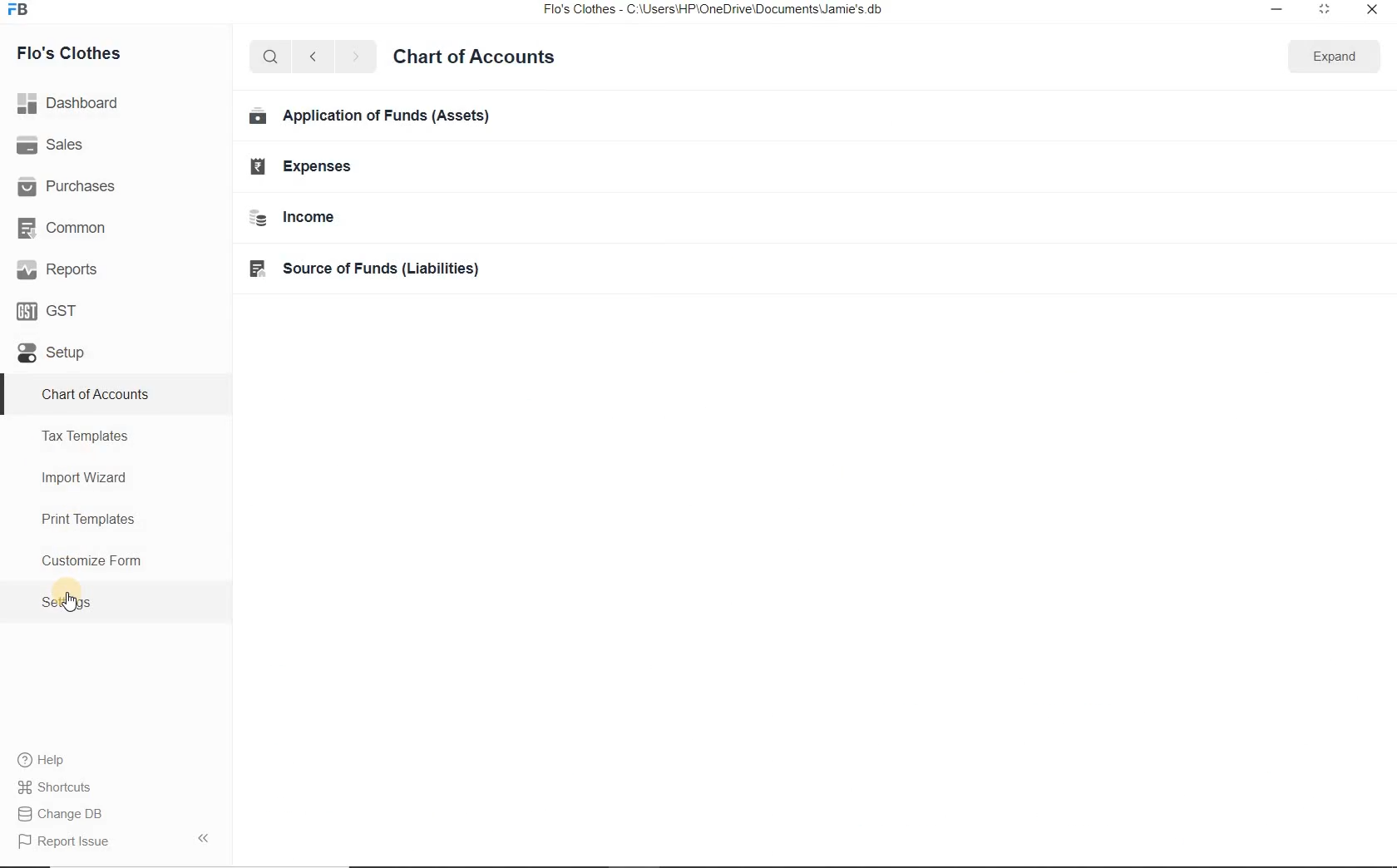 Image resolution: width=1397 pixels, height=868 pixels. I want to click on Settings, so click(116, 601).